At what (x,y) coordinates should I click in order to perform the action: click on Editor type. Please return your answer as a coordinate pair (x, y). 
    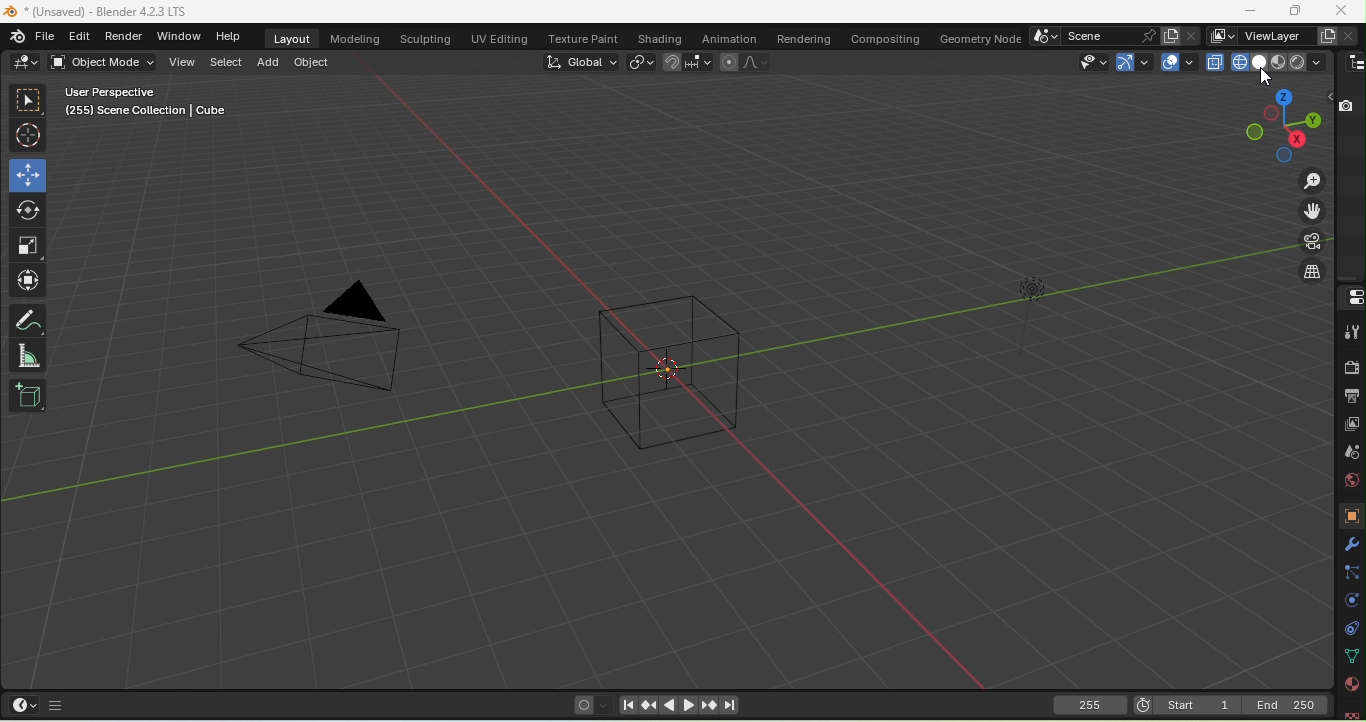
    Looking at the image, I should click on (25, 704).